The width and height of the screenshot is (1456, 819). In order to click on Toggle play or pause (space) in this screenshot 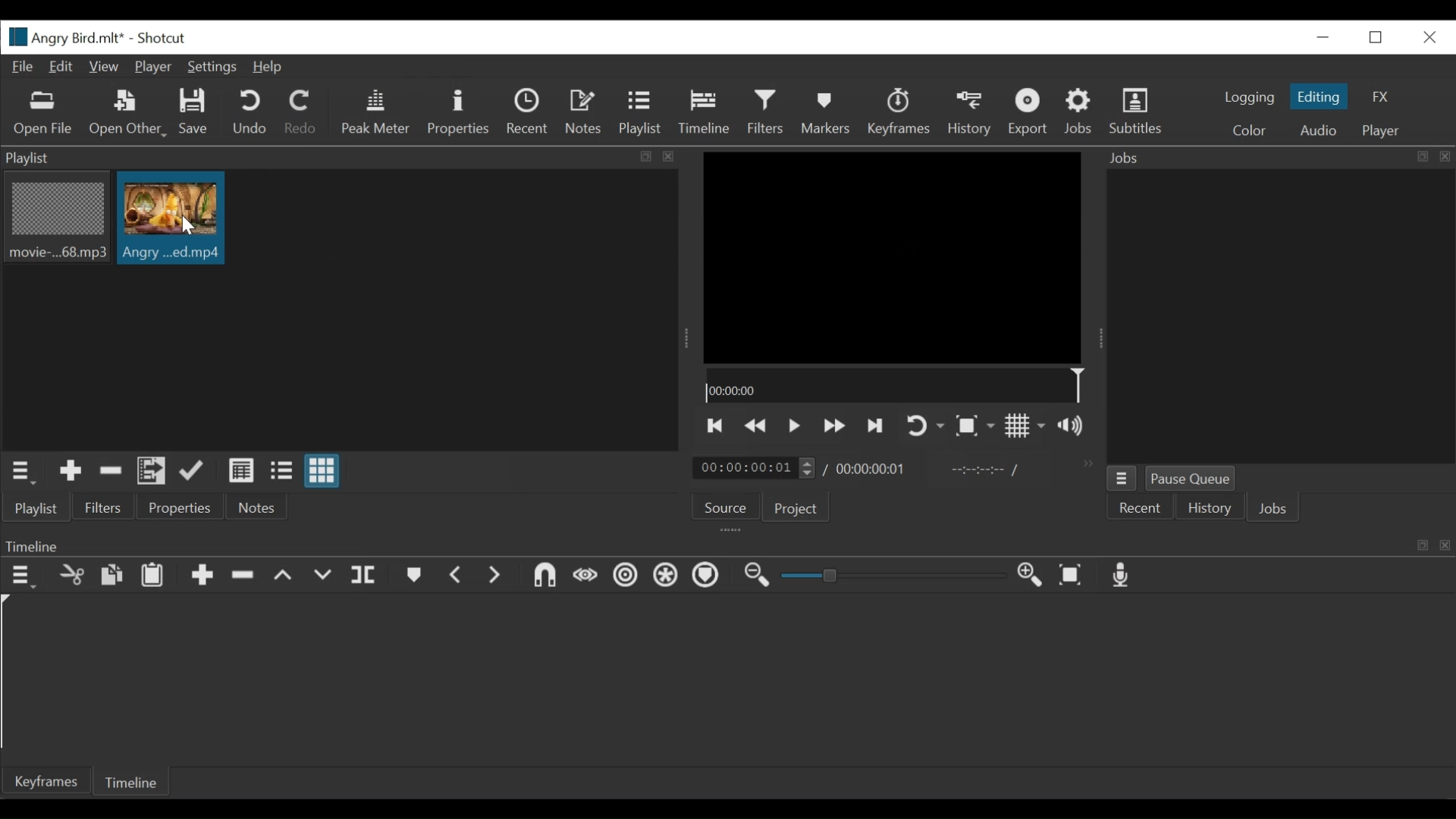, I will do `click(794, 426)`.